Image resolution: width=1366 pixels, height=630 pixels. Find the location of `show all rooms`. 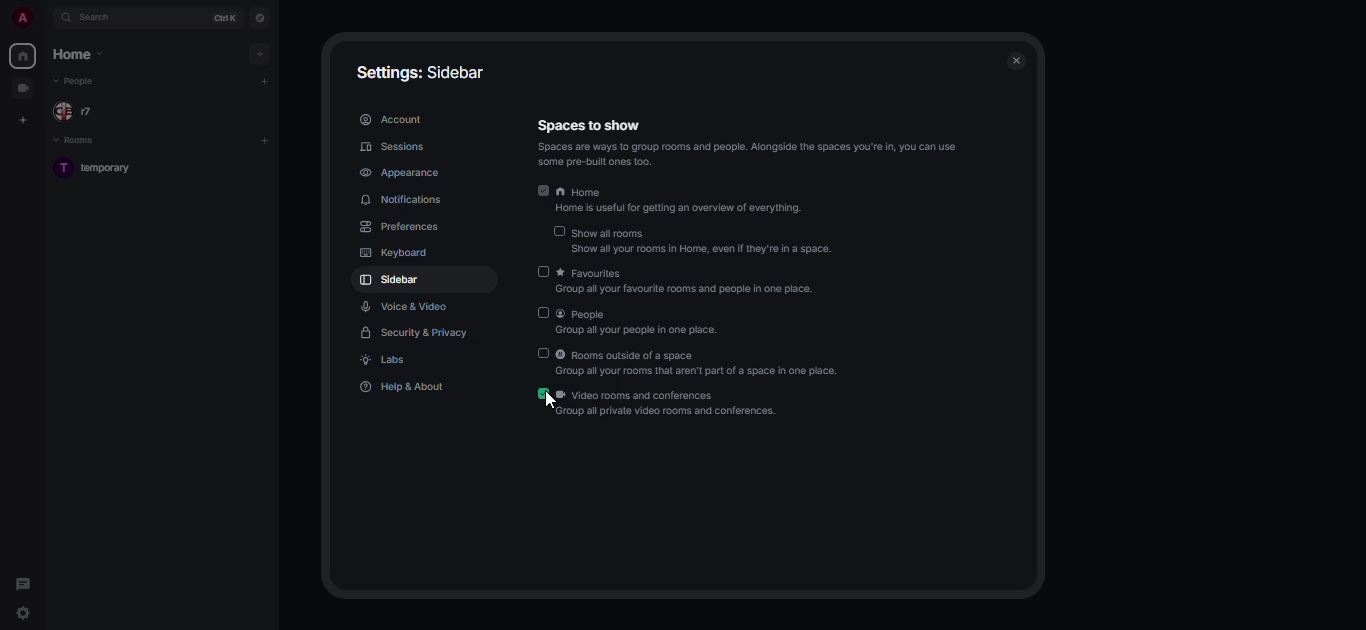

show all rooms is located at coordinates (703, 230).